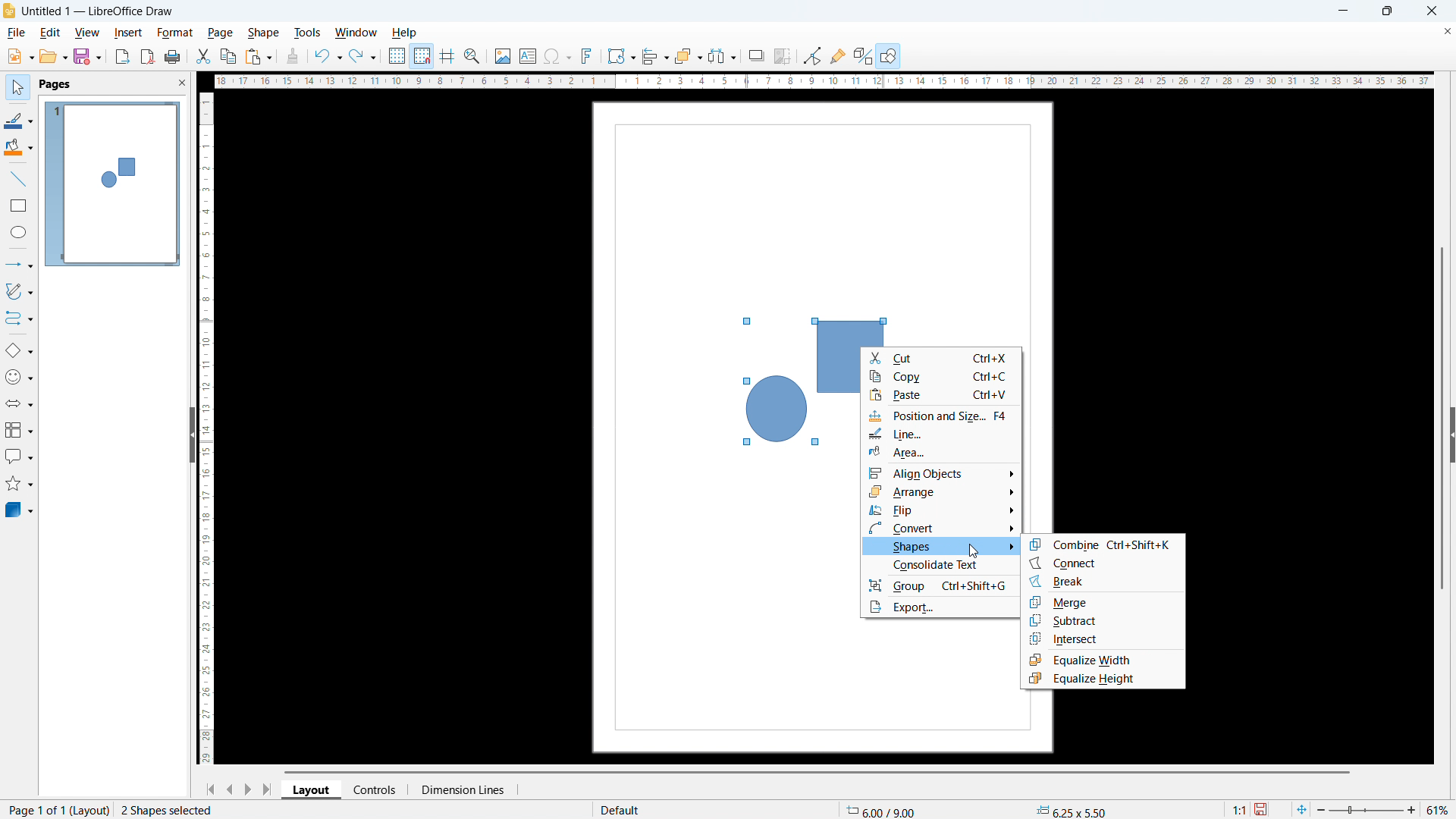  Describe the element at coordinates (839, 55) in the screenshot. I see `show gluepoint function` at that location.